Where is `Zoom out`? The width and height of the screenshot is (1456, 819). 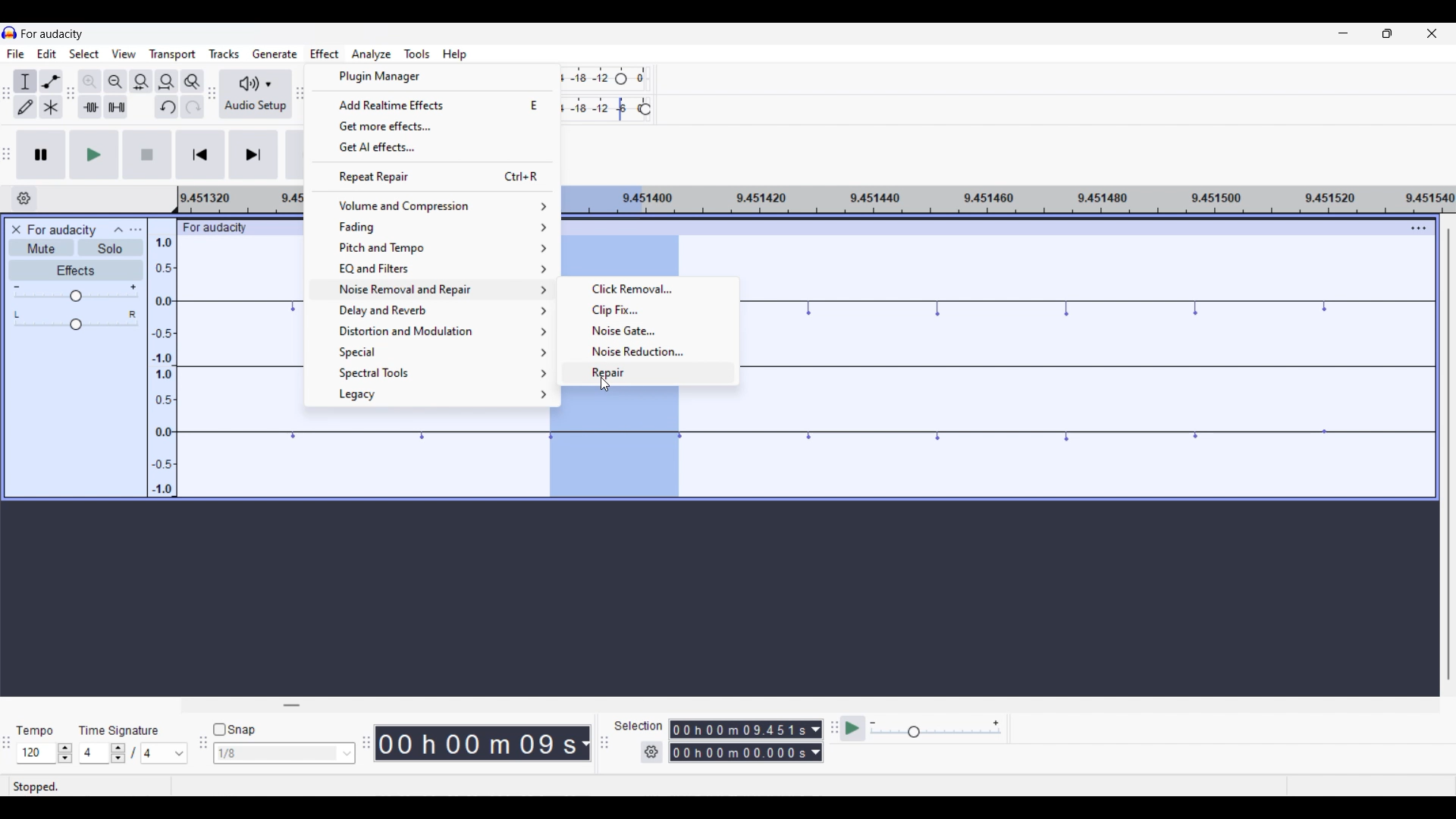
Zoom out is located at coordinates (115, 81).